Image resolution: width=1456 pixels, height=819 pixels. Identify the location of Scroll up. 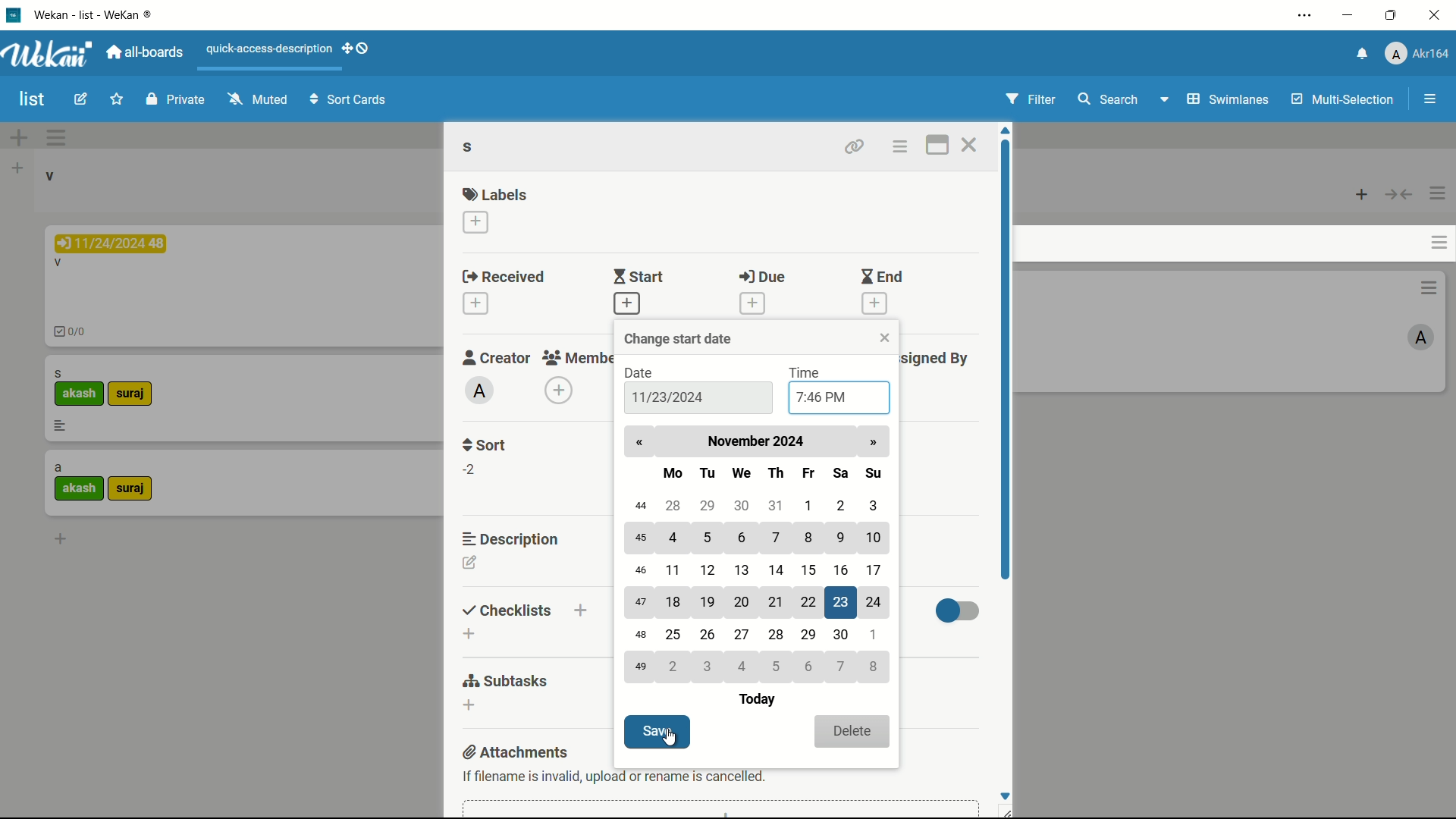
(1004, 129).